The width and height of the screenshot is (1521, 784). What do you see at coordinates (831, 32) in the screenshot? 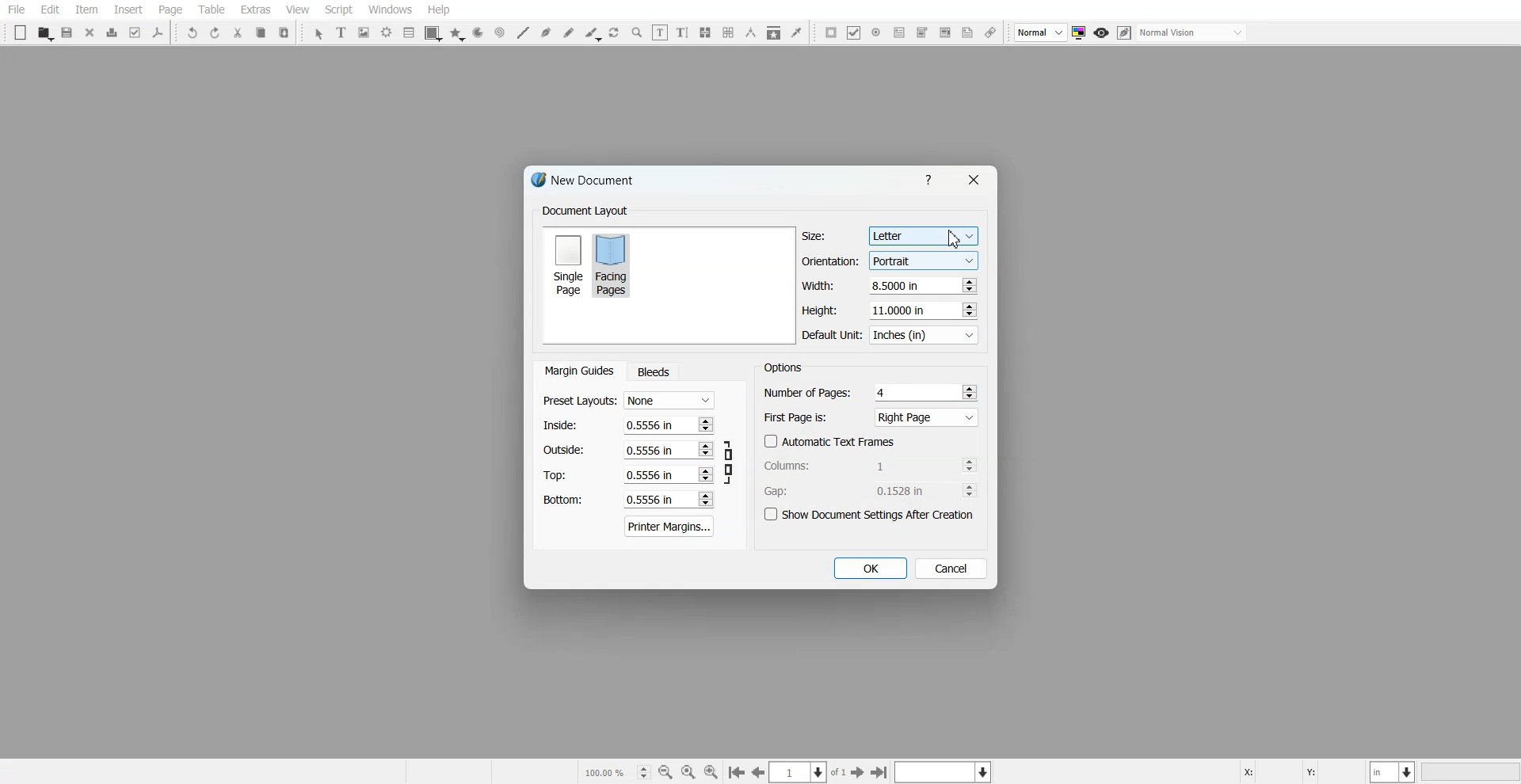
I see `PDF Push button` at bounding box center [831, 32].